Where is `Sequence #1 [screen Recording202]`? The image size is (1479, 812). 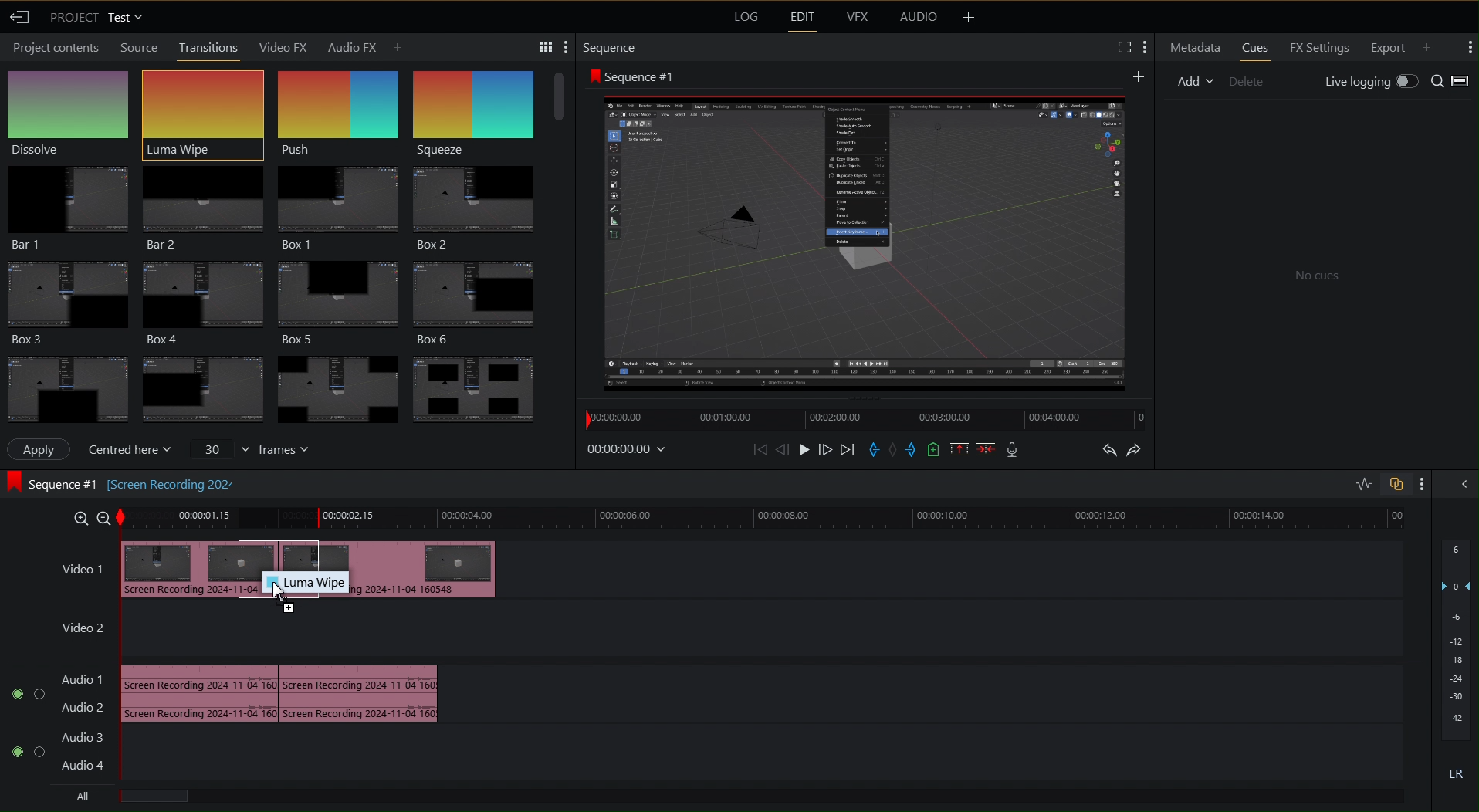 Sequence #1 [screen Recording202] is located at coordinates (121, 482).